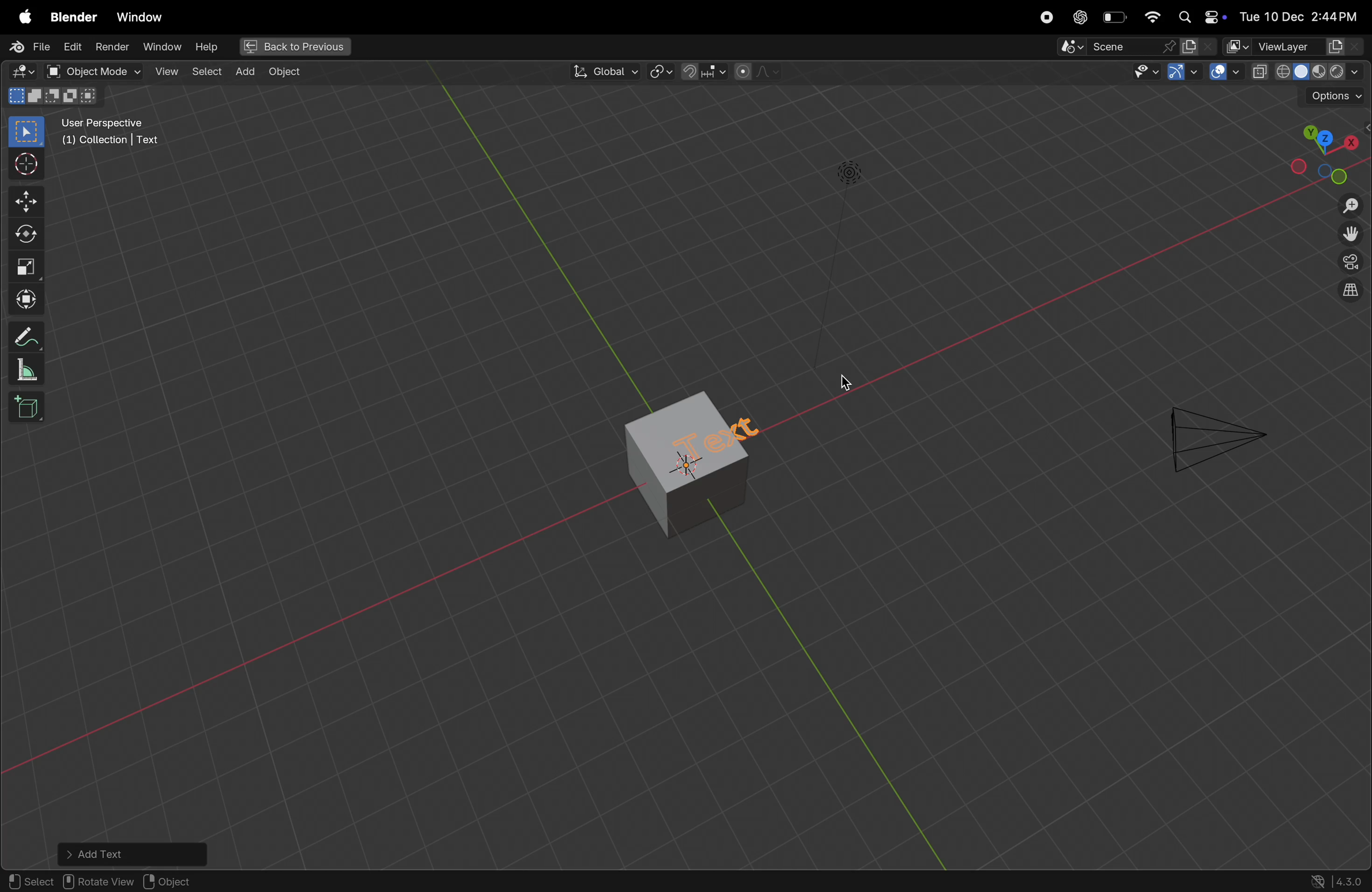  Describe the element at coordinates (1108, 48) in the screenshot. I see `sence` at that location.